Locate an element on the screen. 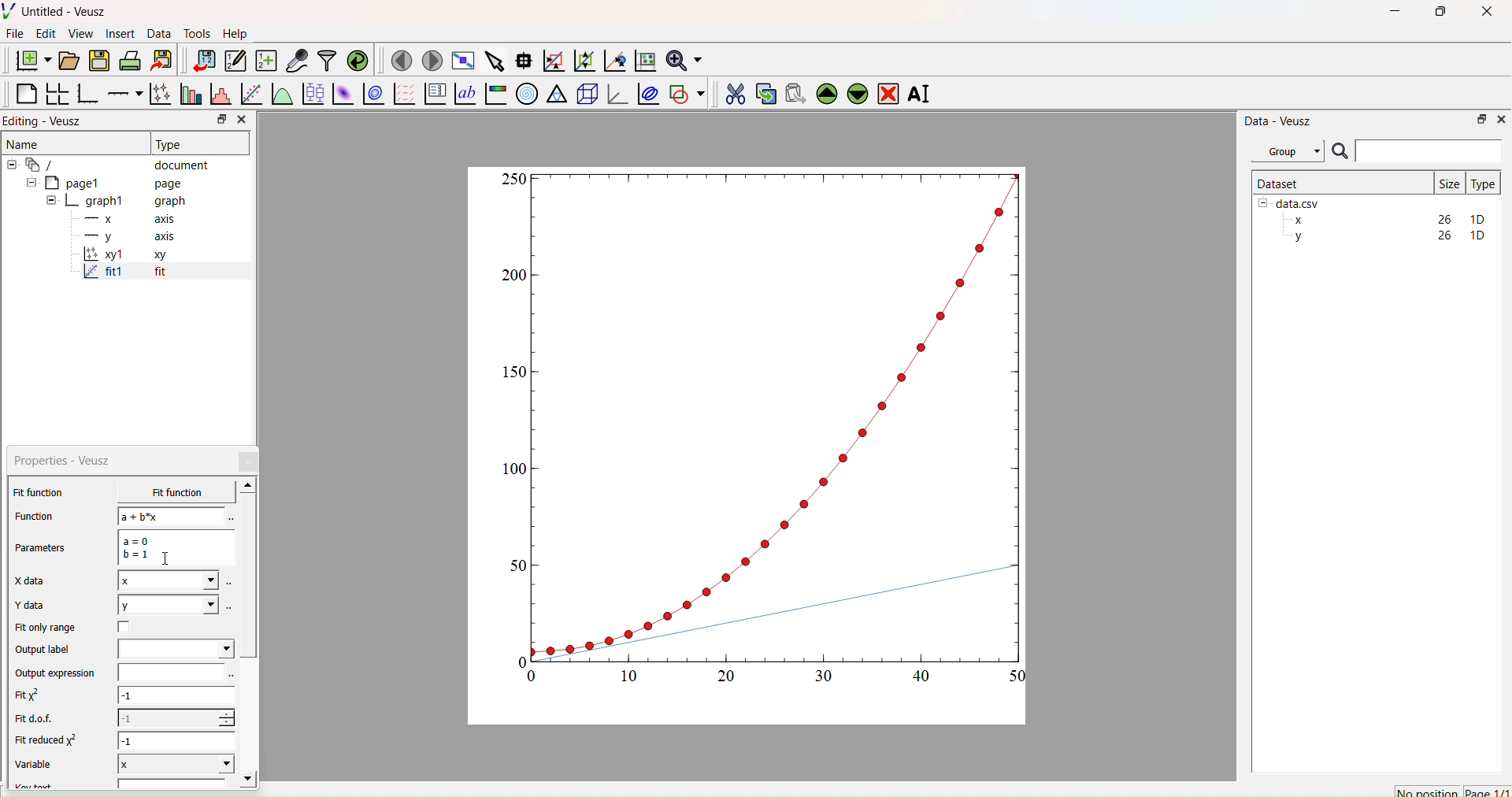 The height and width of the screenshot is (797, 1512). Plot points with lines and errorbars is located at coordinates (158, 94).